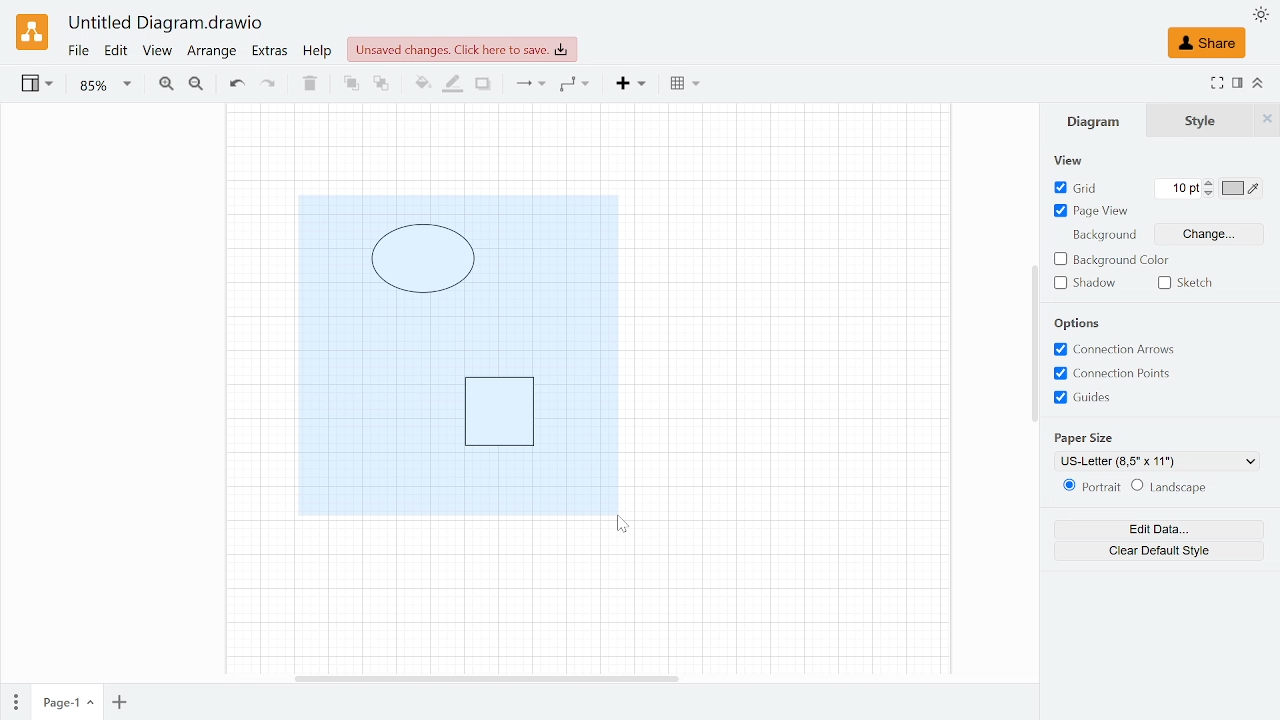  What do you see at coordinates (626, 525) in the screenshot?
I see `Cursor` at bounding box center [626, 525].